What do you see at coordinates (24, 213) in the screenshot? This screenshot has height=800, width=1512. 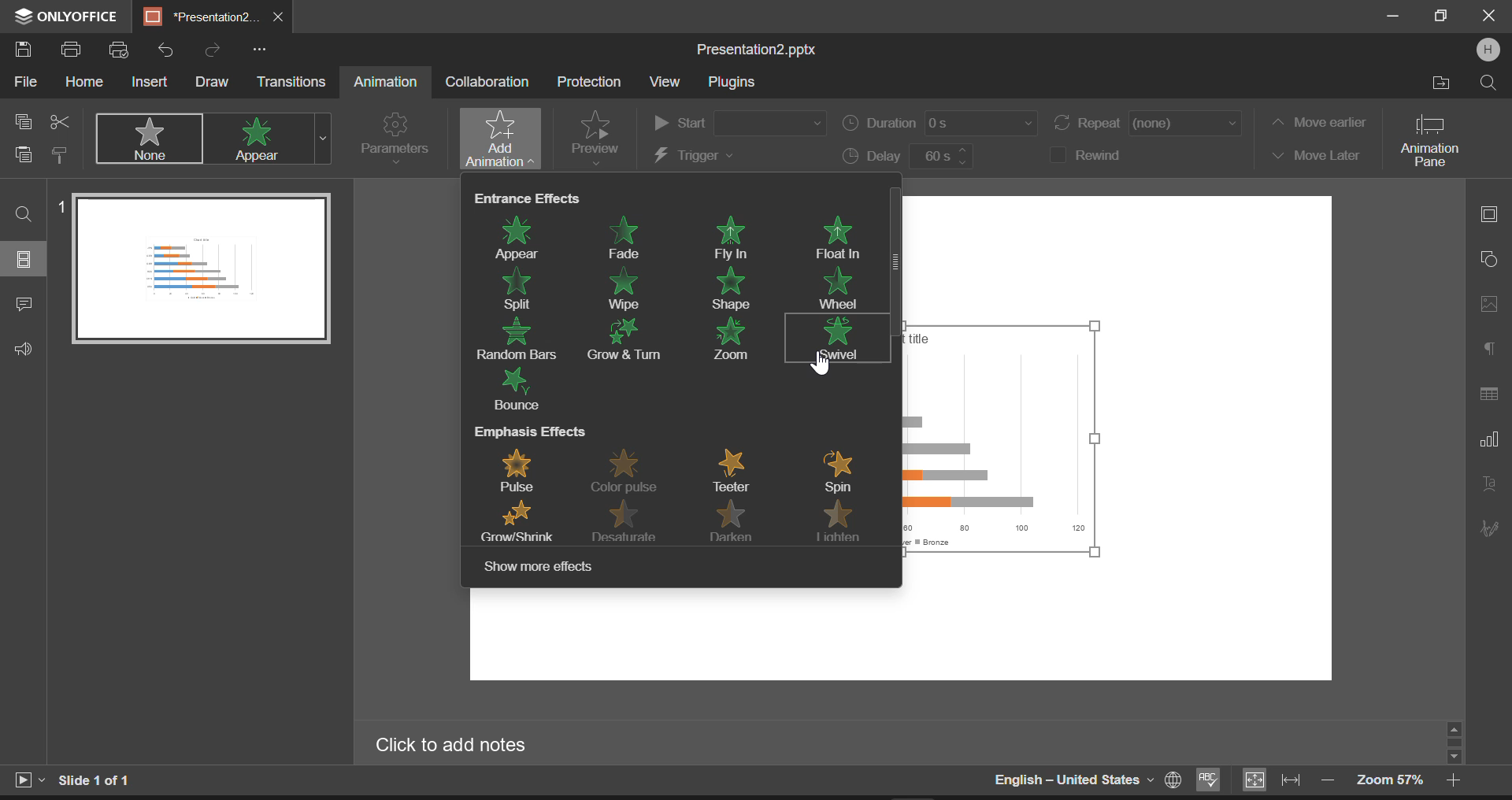 I see `Find` at bounding box center [24, 213].